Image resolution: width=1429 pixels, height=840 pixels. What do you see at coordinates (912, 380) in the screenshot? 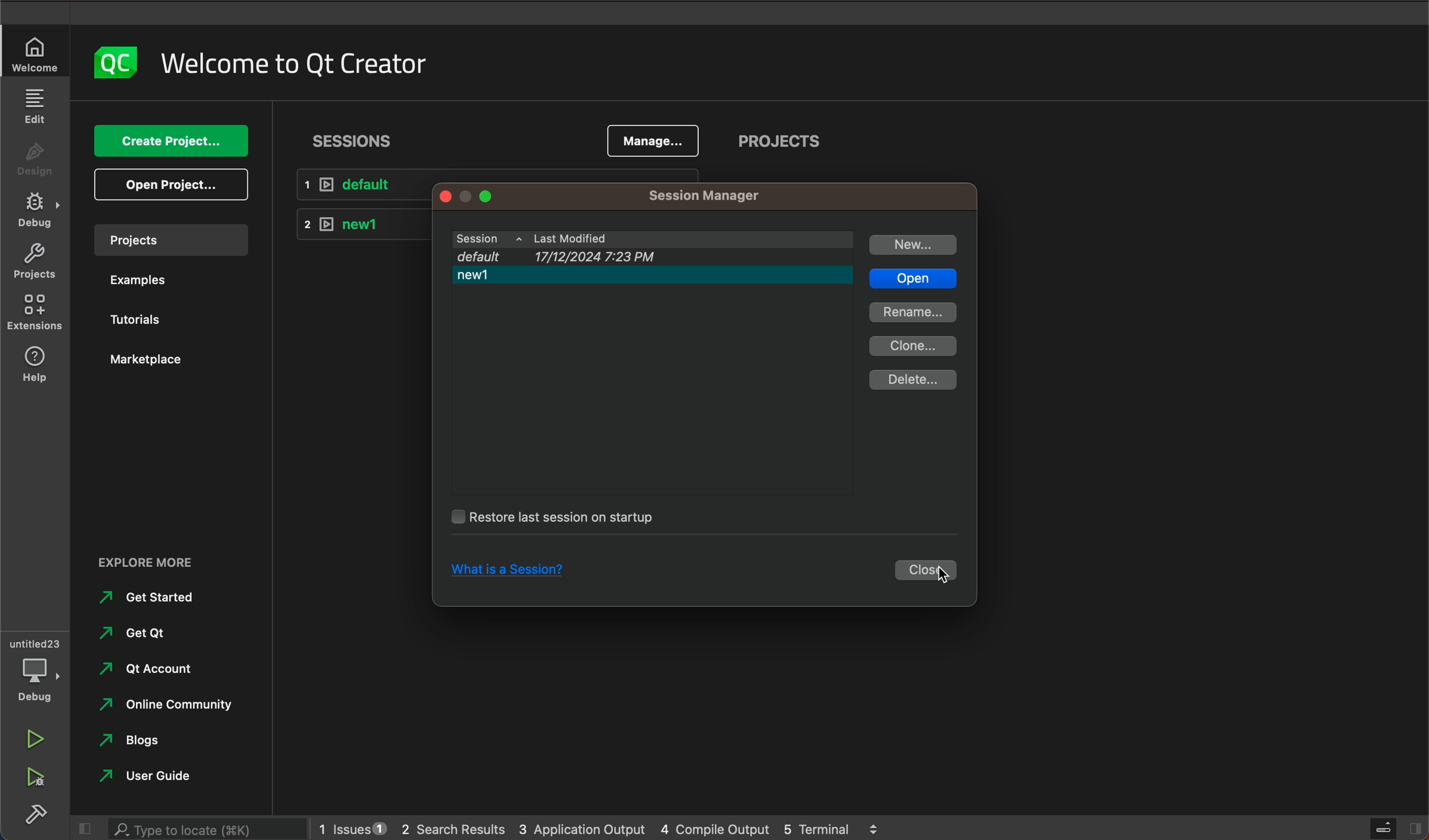
I see `delete` at bounding box center [912, 380].